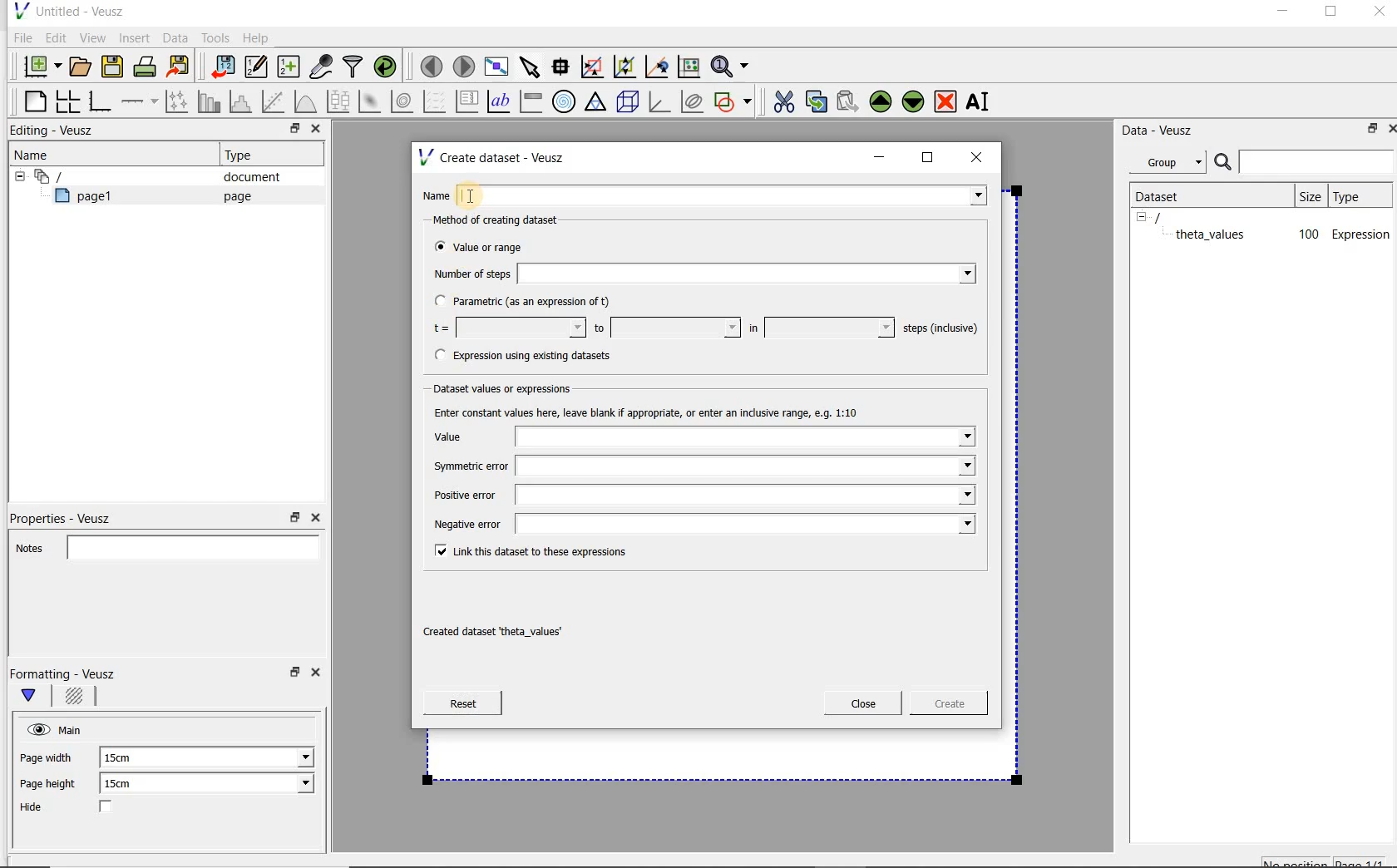  Describe the element at coordinates (176, 37) in the screenshot. I see `Data` at that location.